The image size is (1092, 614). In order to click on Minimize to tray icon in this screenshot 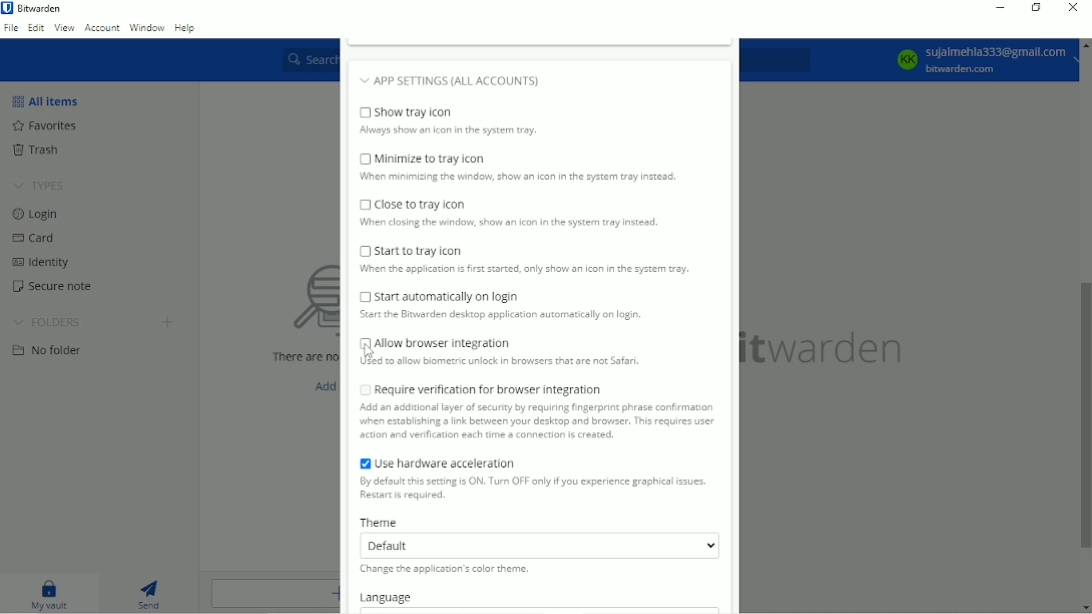, I will do `click(423, 158)`.